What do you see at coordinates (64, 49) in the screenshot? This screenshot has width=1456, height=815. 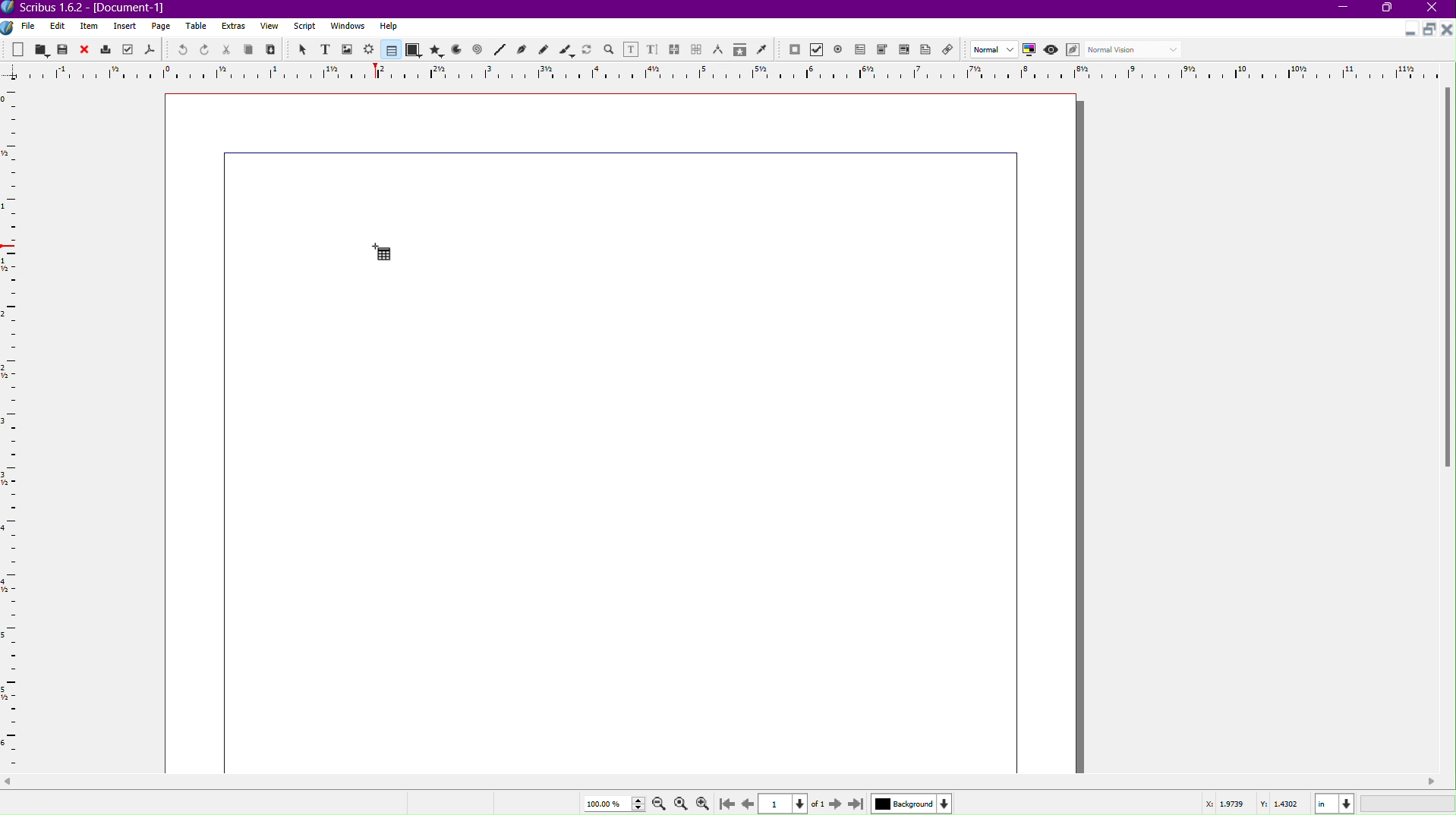 I see `Save` at bounding box center [64, 49].